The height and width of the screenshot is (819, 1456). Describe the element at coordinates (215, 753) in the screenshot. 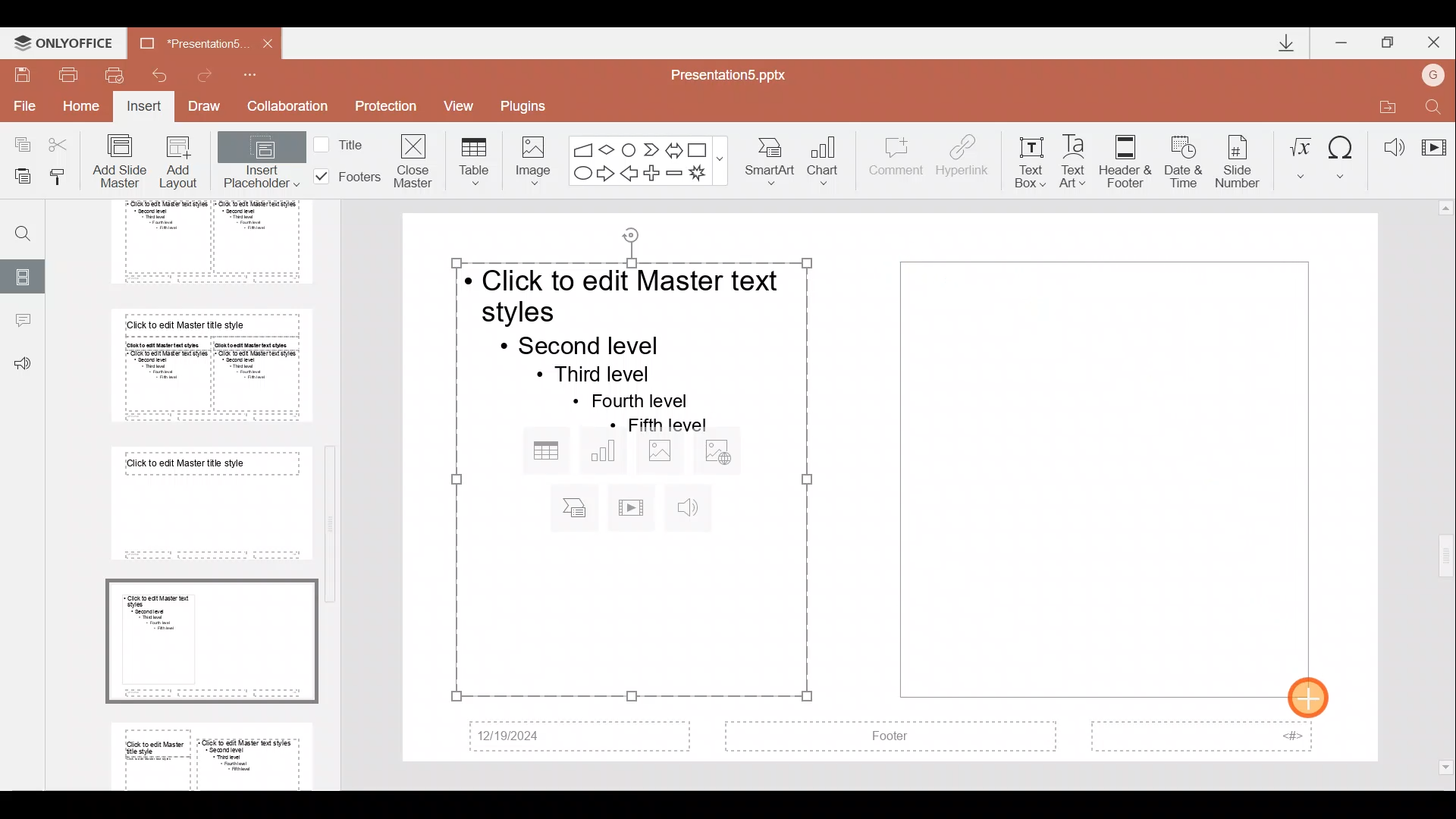

I see `Slide 9` at that location.